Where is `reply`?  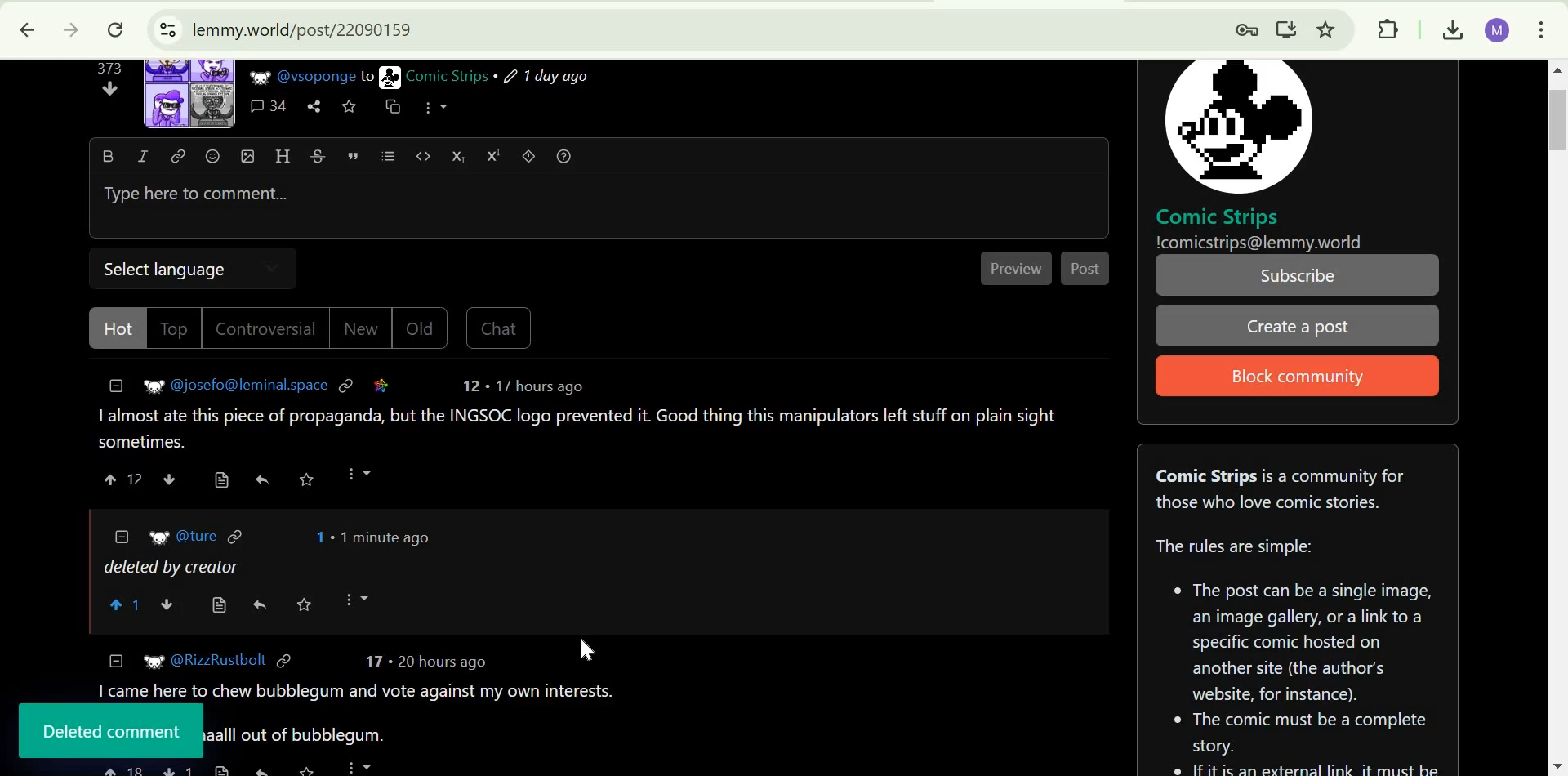 reply is located at coordinates (260, 605).